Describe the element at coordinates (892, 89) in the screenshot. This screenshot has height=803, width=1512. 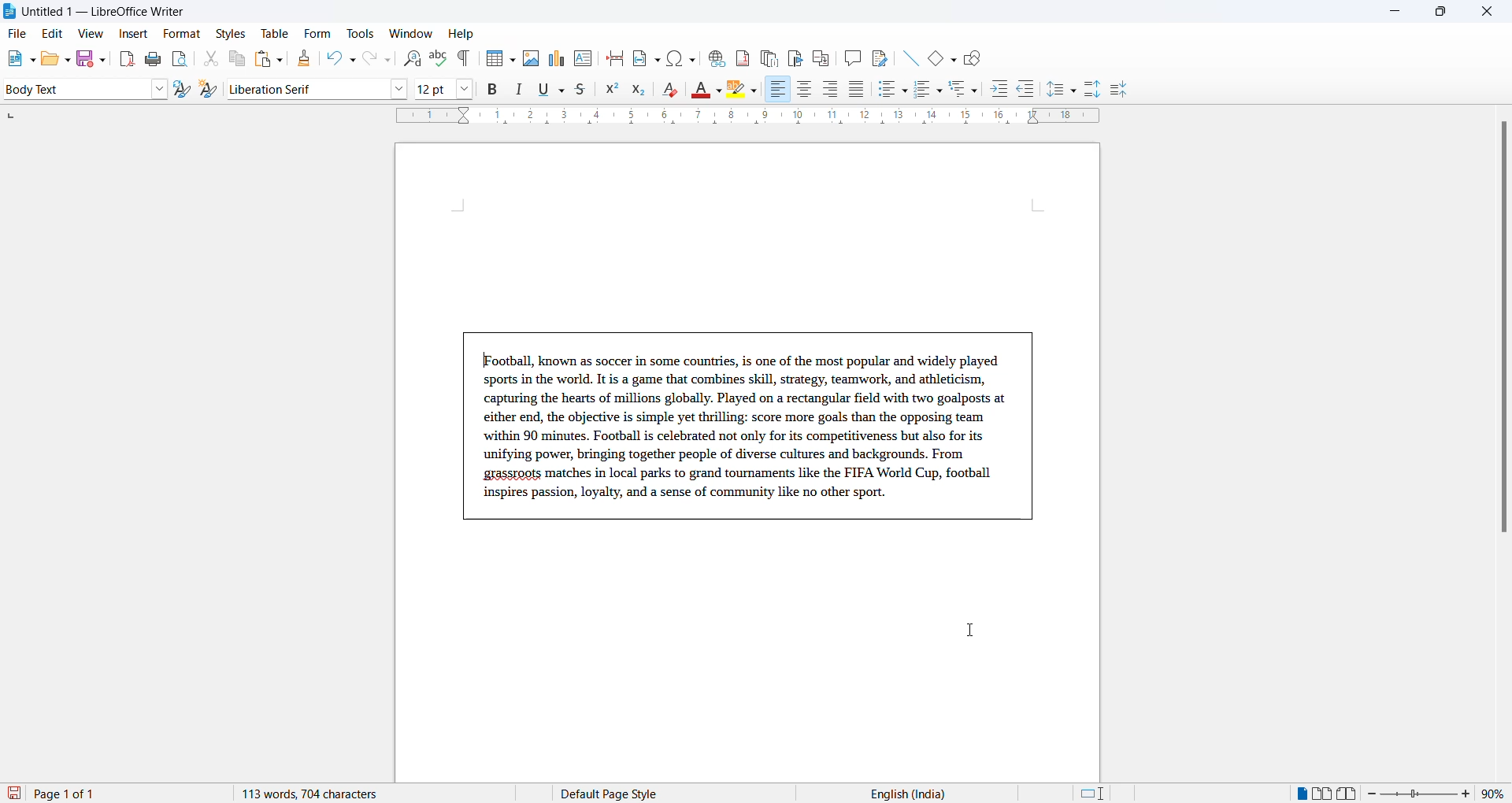
I see `toggle unordered list` at that location.